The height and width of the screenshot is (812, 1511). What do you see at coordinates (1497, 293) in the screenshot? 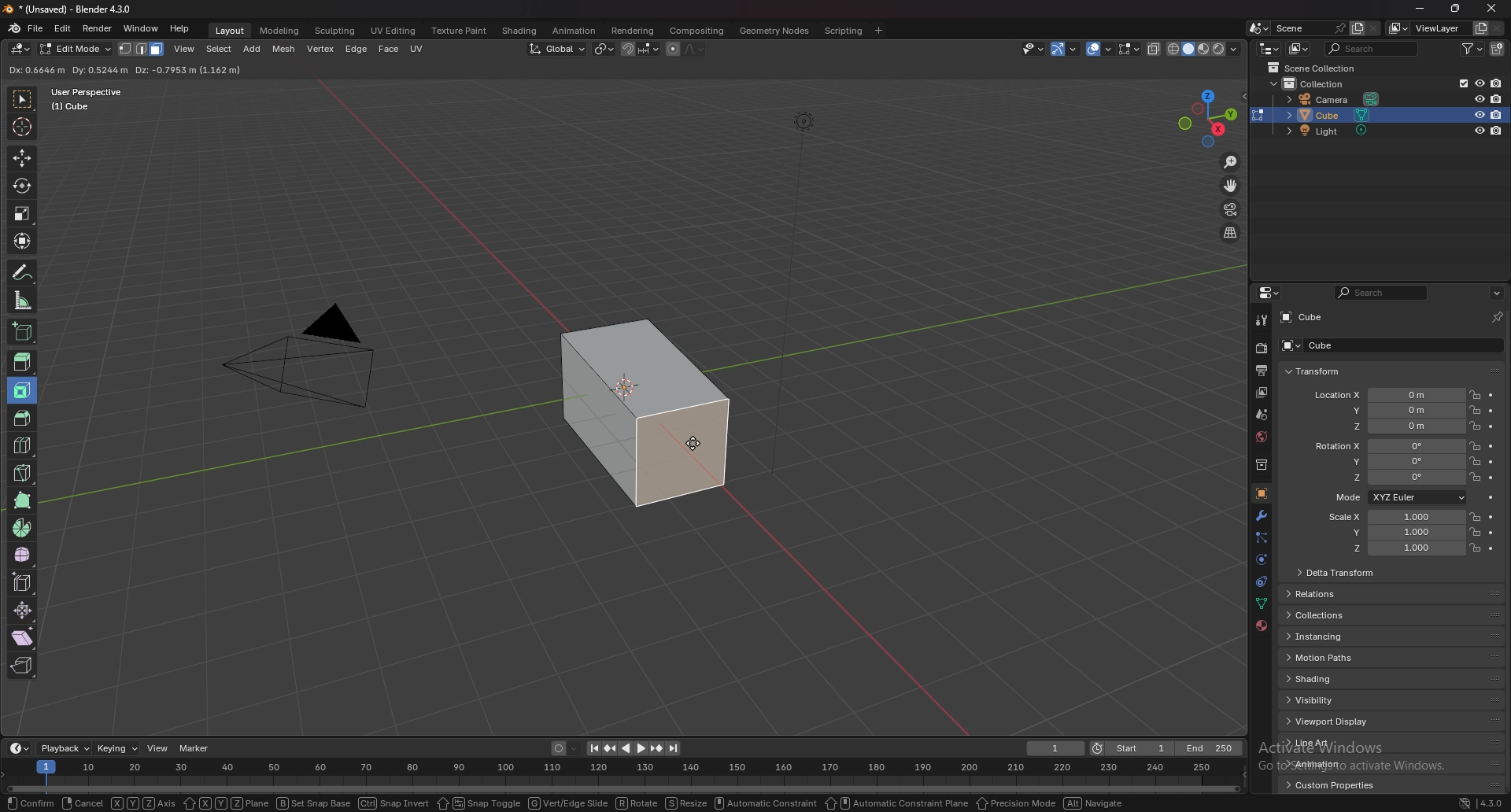
I see `options` at bounding box center [1497, 293].